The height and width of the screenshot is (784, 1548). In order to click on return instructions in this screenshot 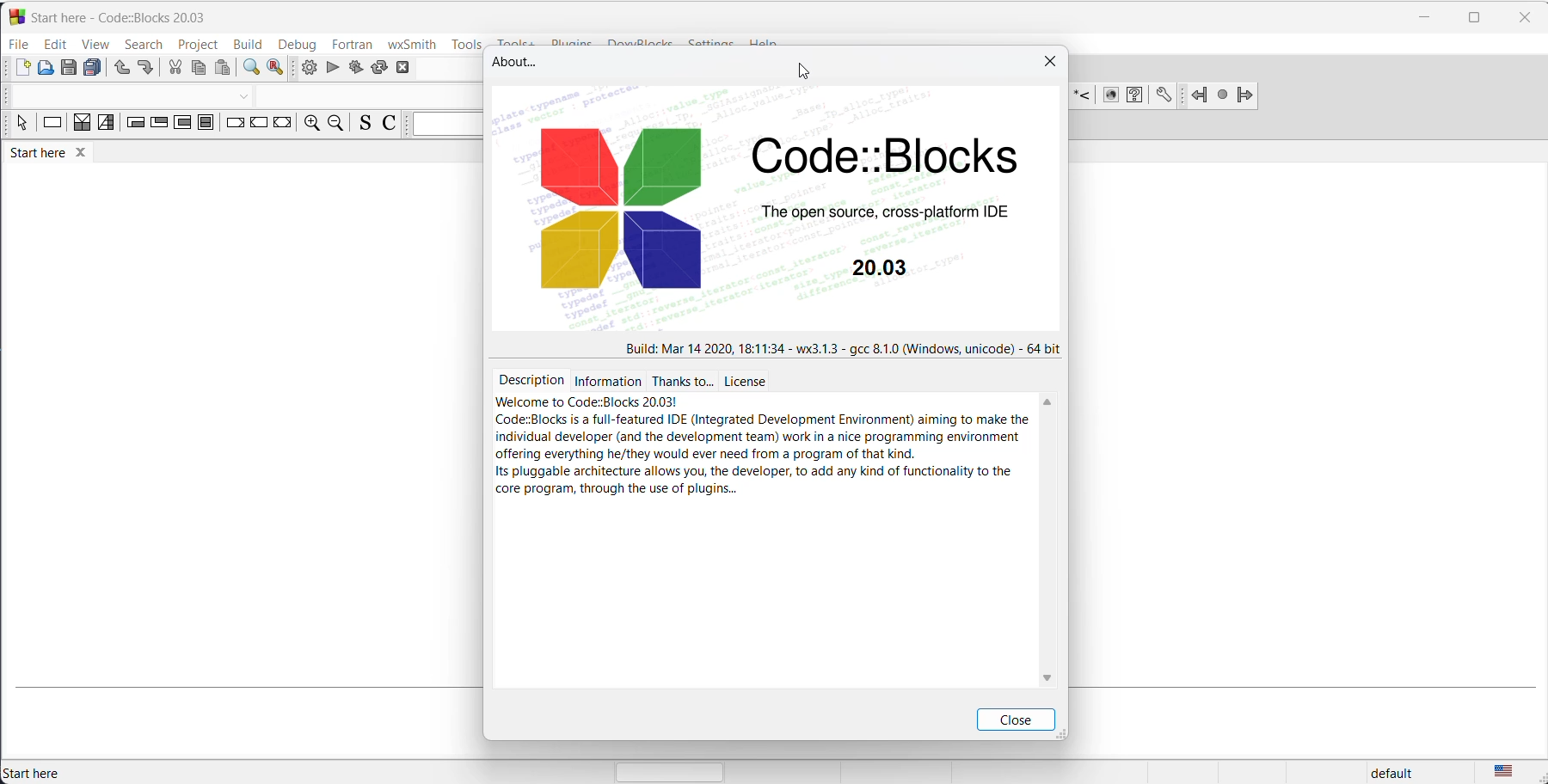, I will do `click(285, 125)`.